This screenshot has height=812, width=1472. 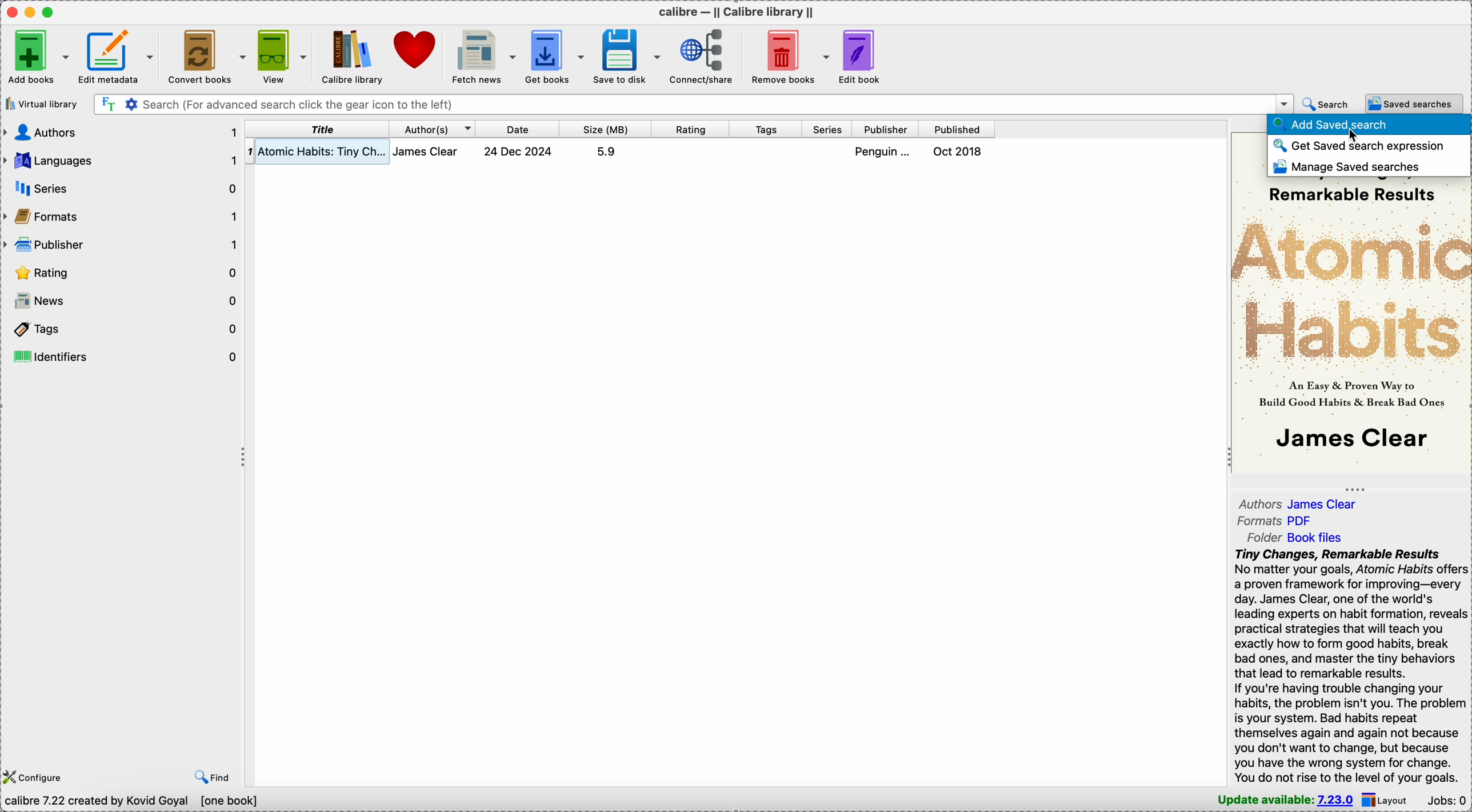 What do you see at coordinates (33, 11) in the screenshot?
I see `minimize` at bounding box center [33, 11].